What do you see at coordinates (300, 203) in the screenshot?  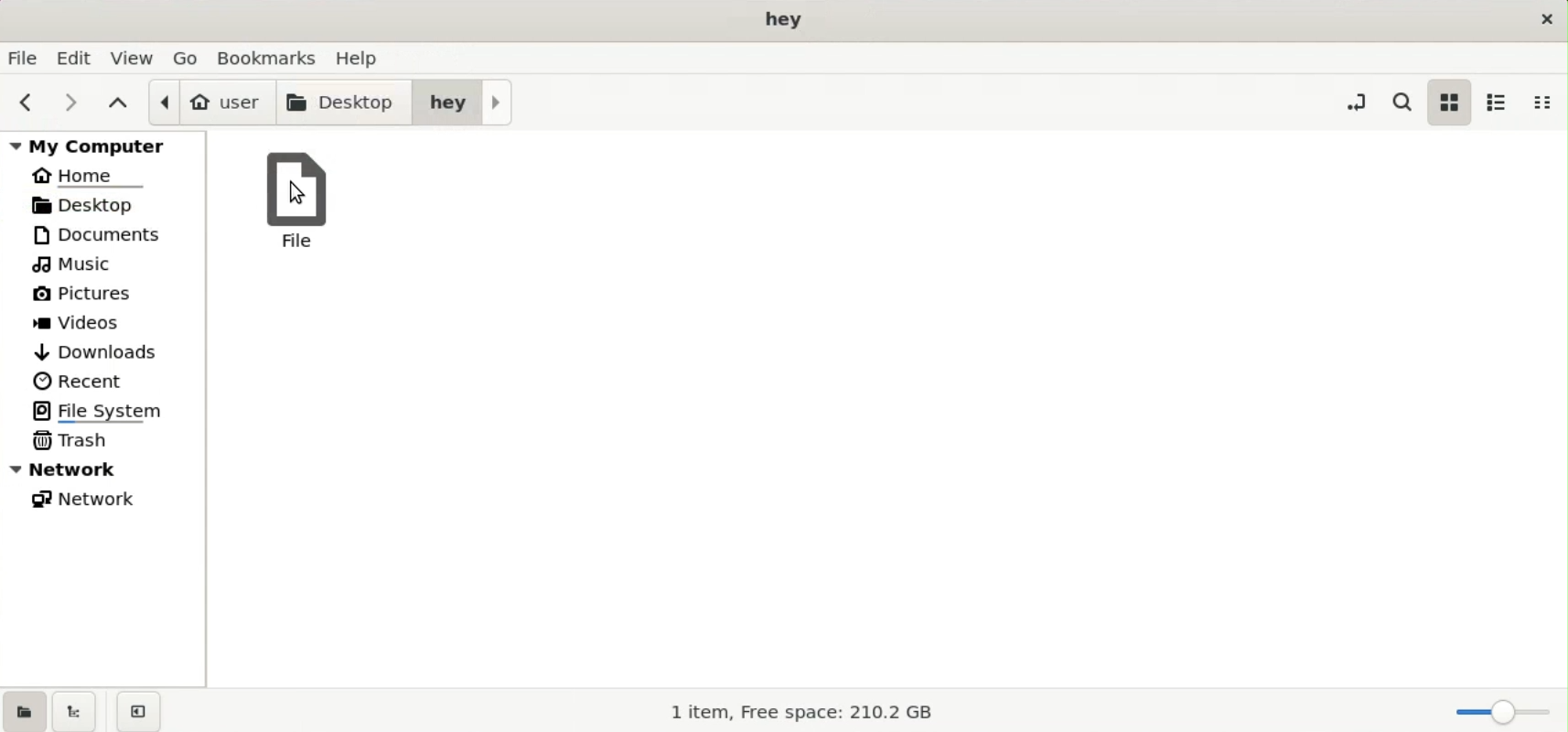 I see `file` at bounding box center [300, 203].